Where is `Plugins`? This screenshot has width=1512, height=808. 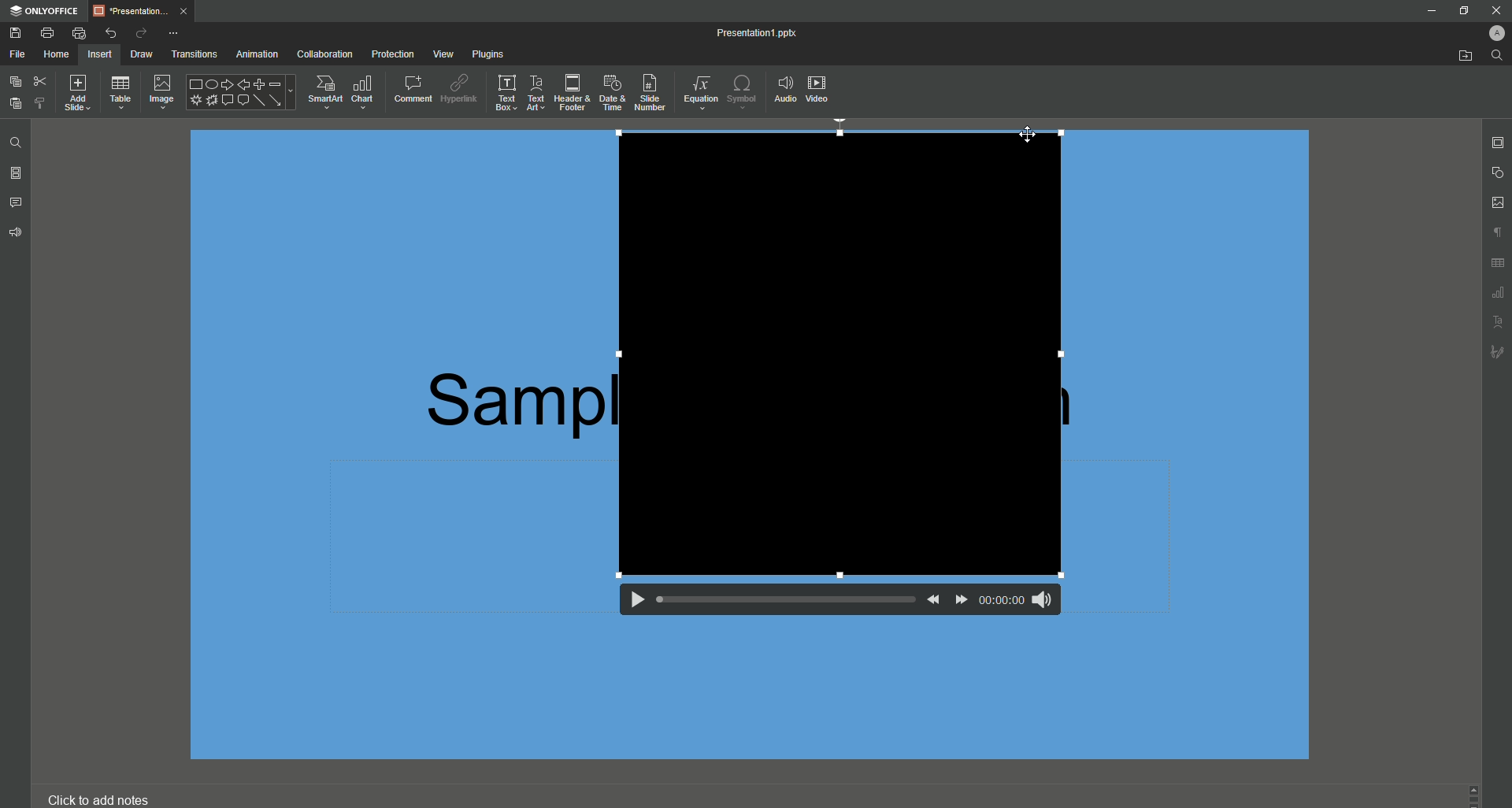 Plugins is located at coordinates (487, 53).